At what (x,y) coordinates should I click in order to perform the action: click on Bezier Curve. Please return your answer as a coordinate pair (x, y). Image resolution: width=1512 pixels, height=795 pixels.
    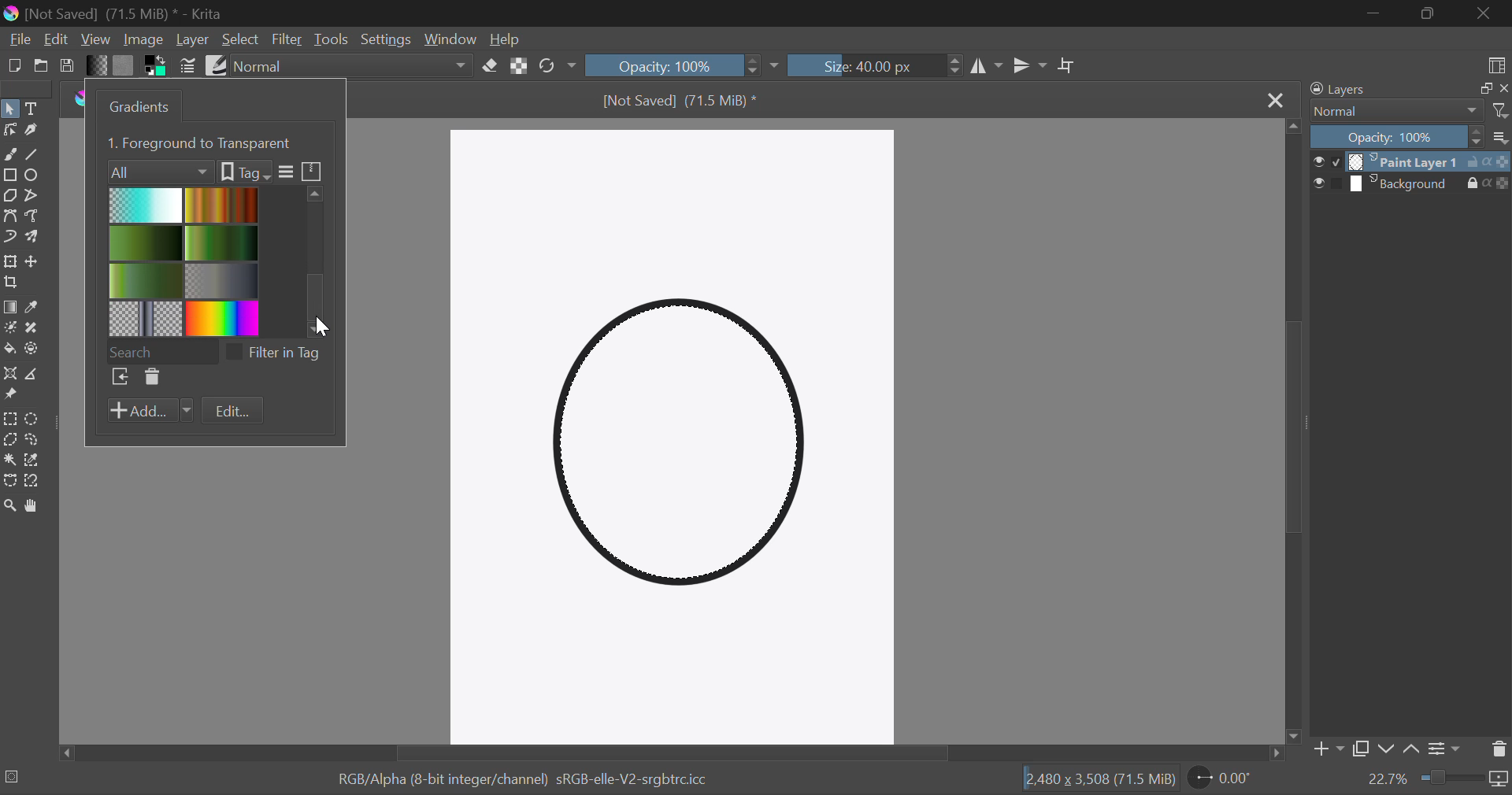
    Looking at the image, I should click on (10, 216).